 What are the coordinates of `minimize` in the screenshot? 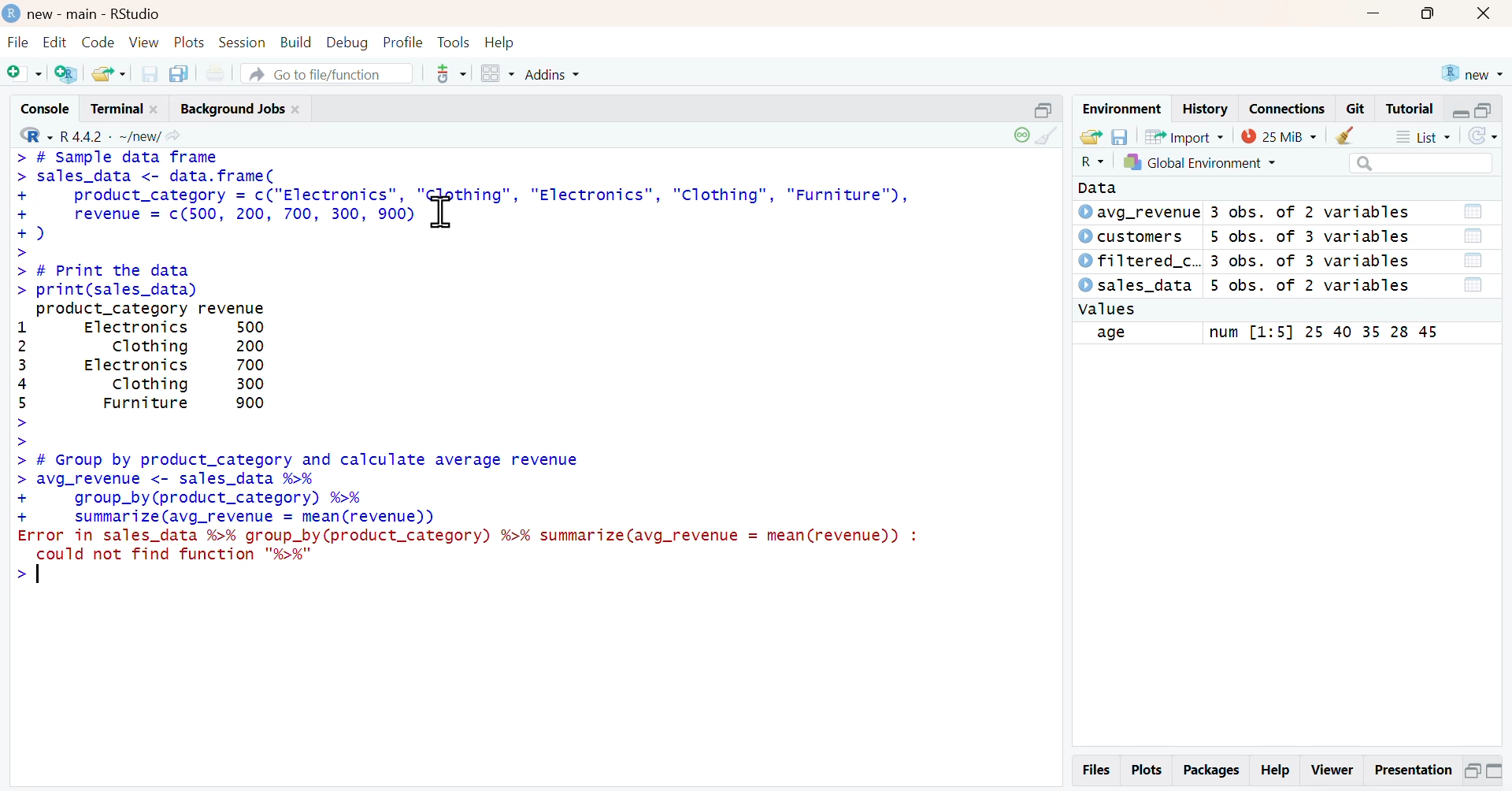 It's located at (1046, 109).